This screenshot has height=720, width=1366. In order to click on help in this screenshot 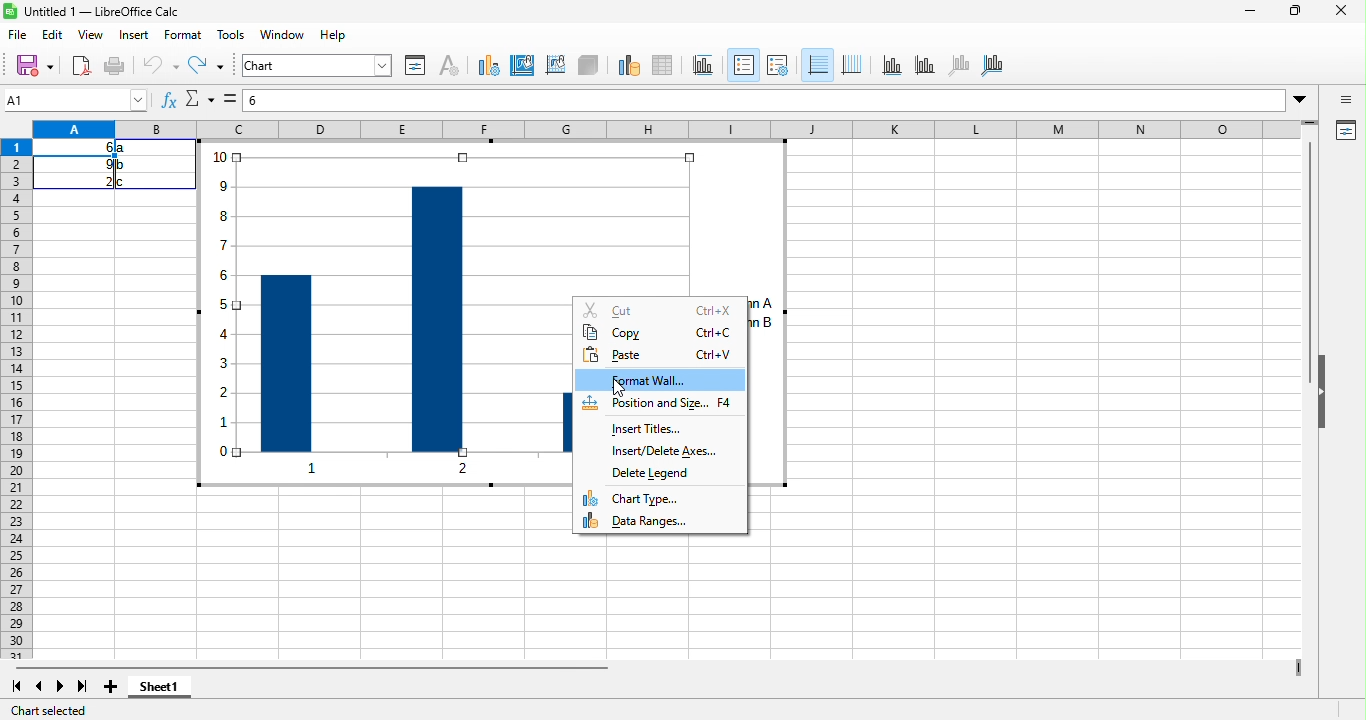, I will do `click(332, 36)`.